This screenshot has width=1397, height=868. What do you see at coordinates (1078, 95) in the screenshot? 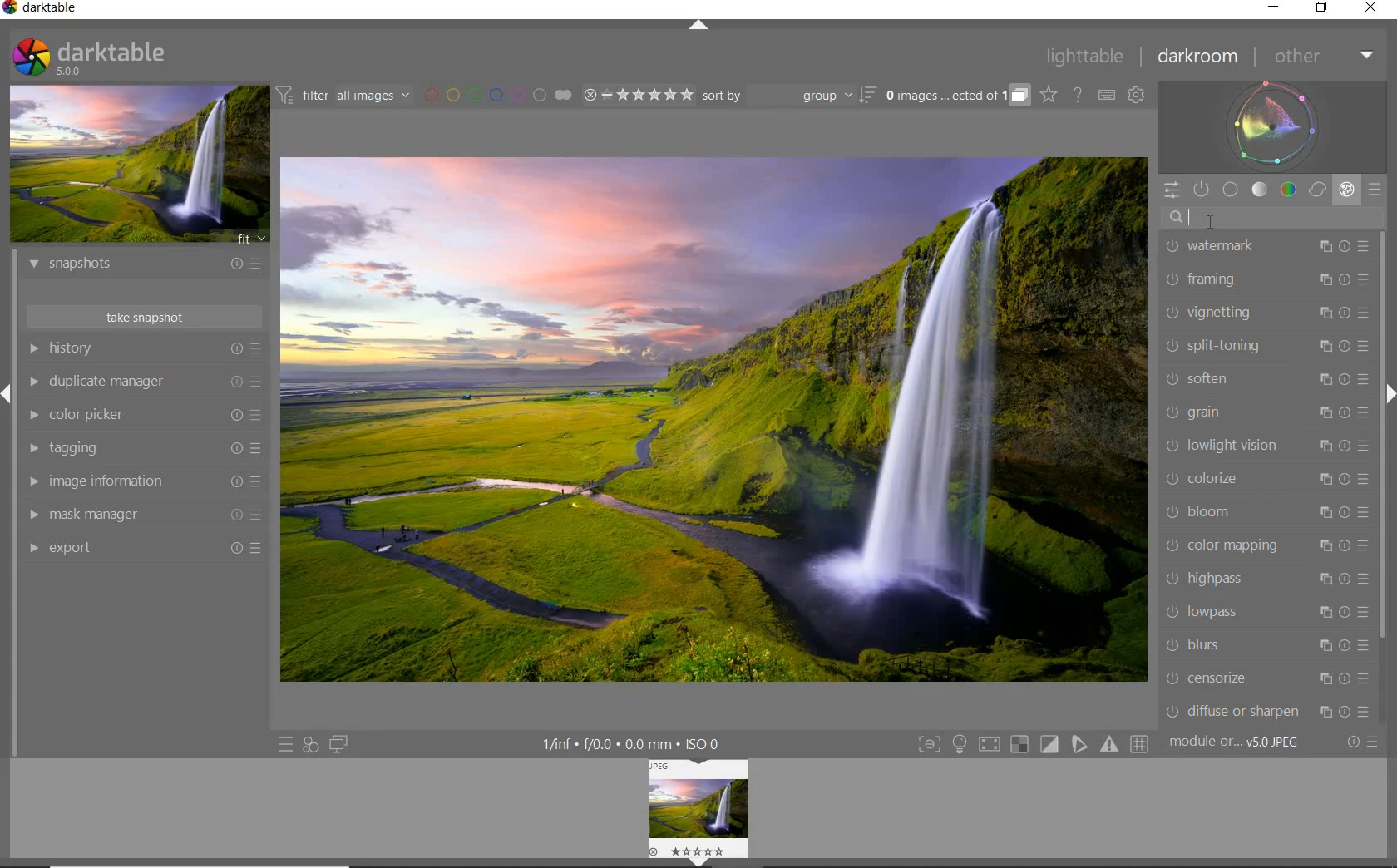
I see `HELP ONLINE` at bounding box center [1078, 95].